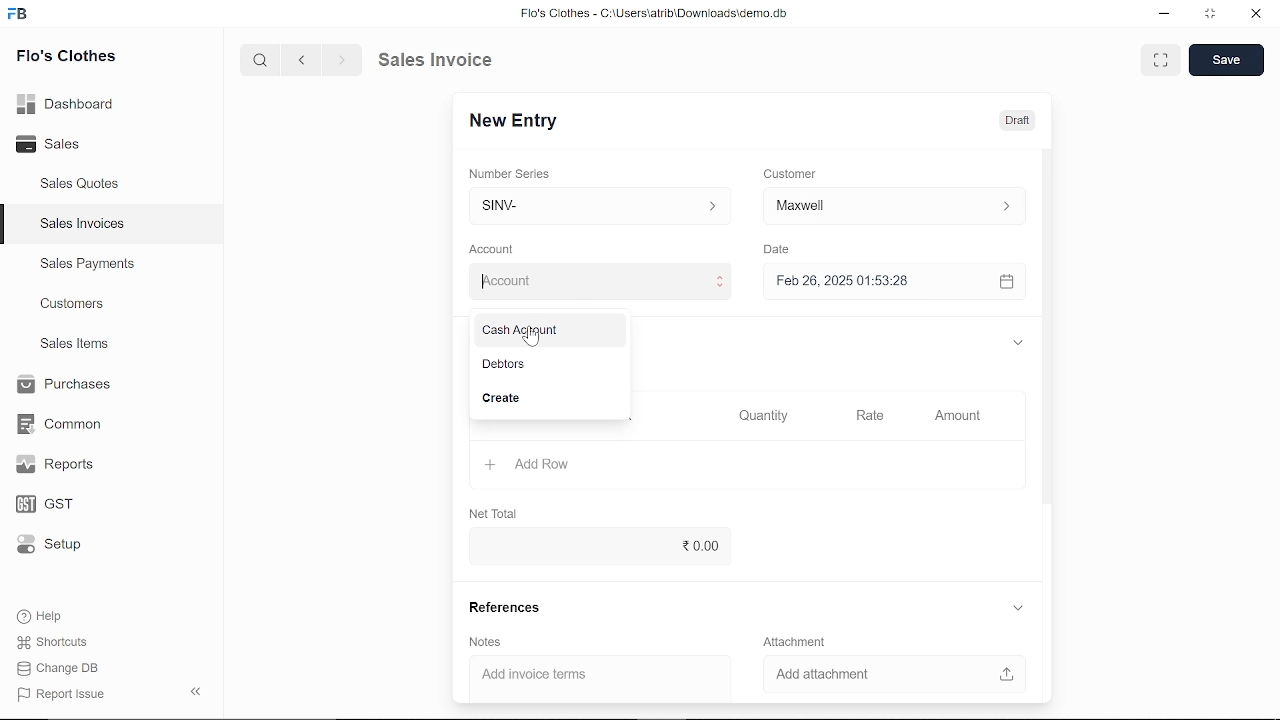 This screenshot has width=1280, height=720. I want to click on Sales Items, so click(74, 346).